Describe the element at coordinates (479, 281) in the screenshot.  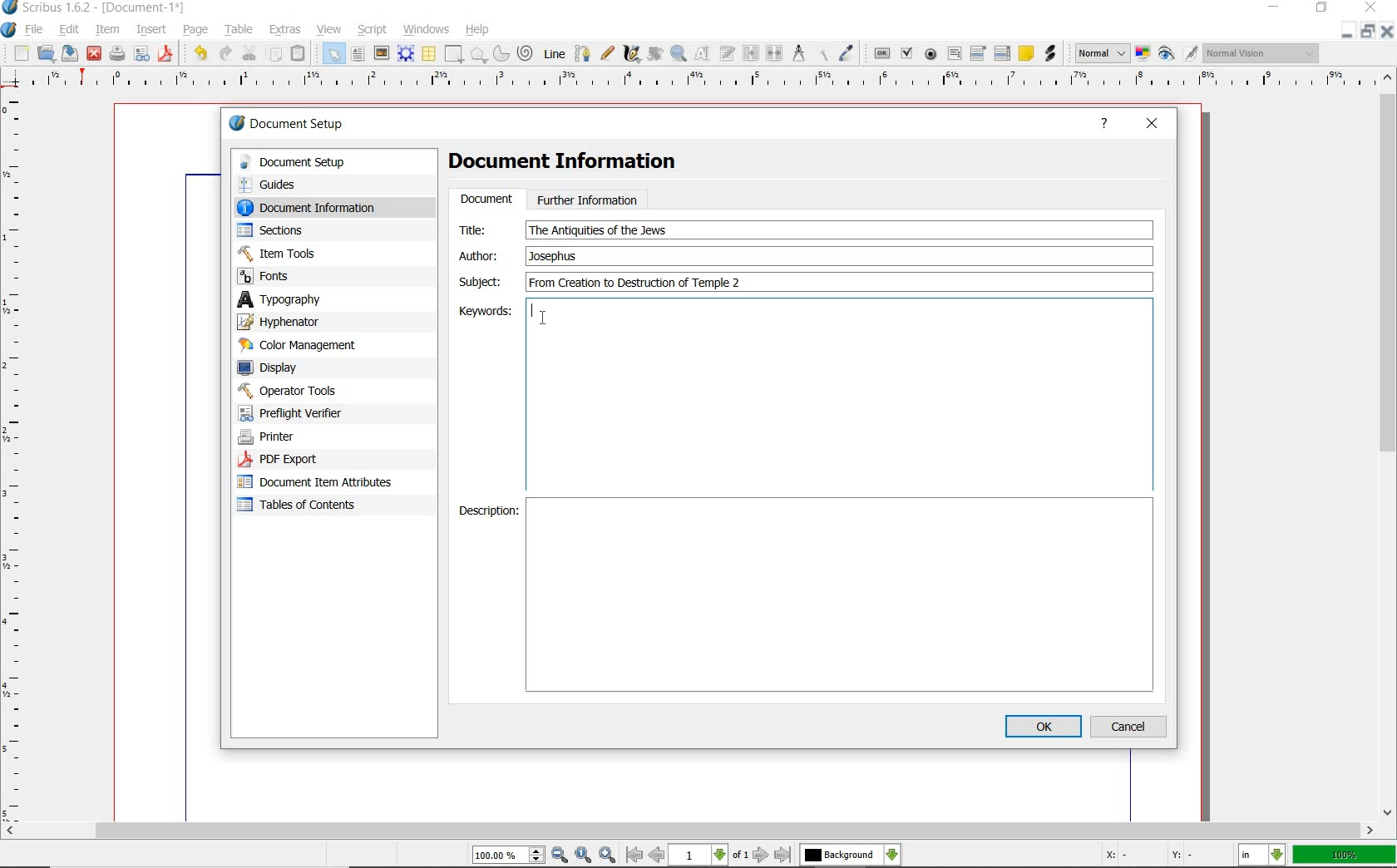
I see `subject` at that location.